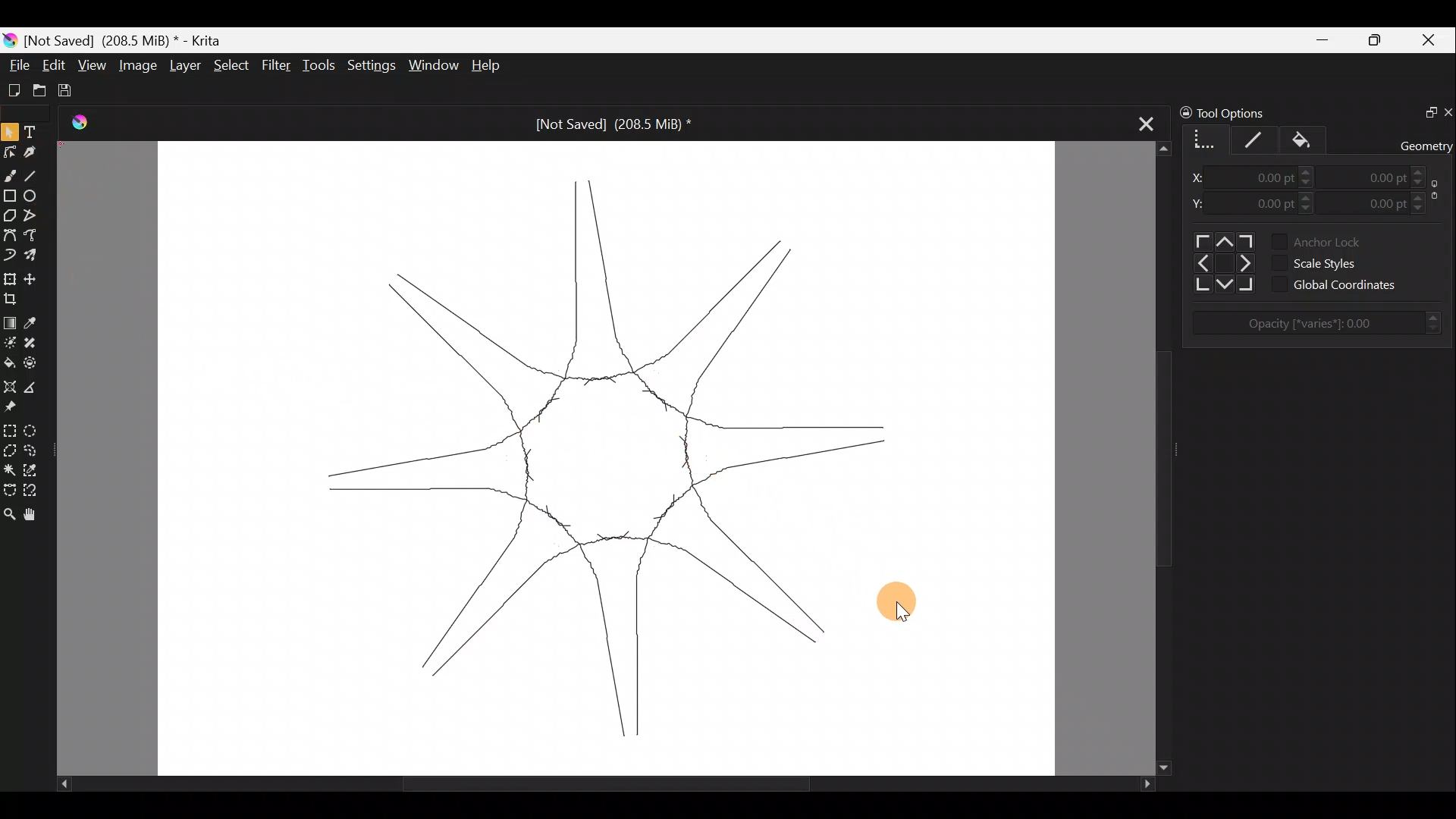  What do you see at coordinates (1202, 202) in the screenshot?
I see `Y-axis dimension` at bounding box center [1202, 202].